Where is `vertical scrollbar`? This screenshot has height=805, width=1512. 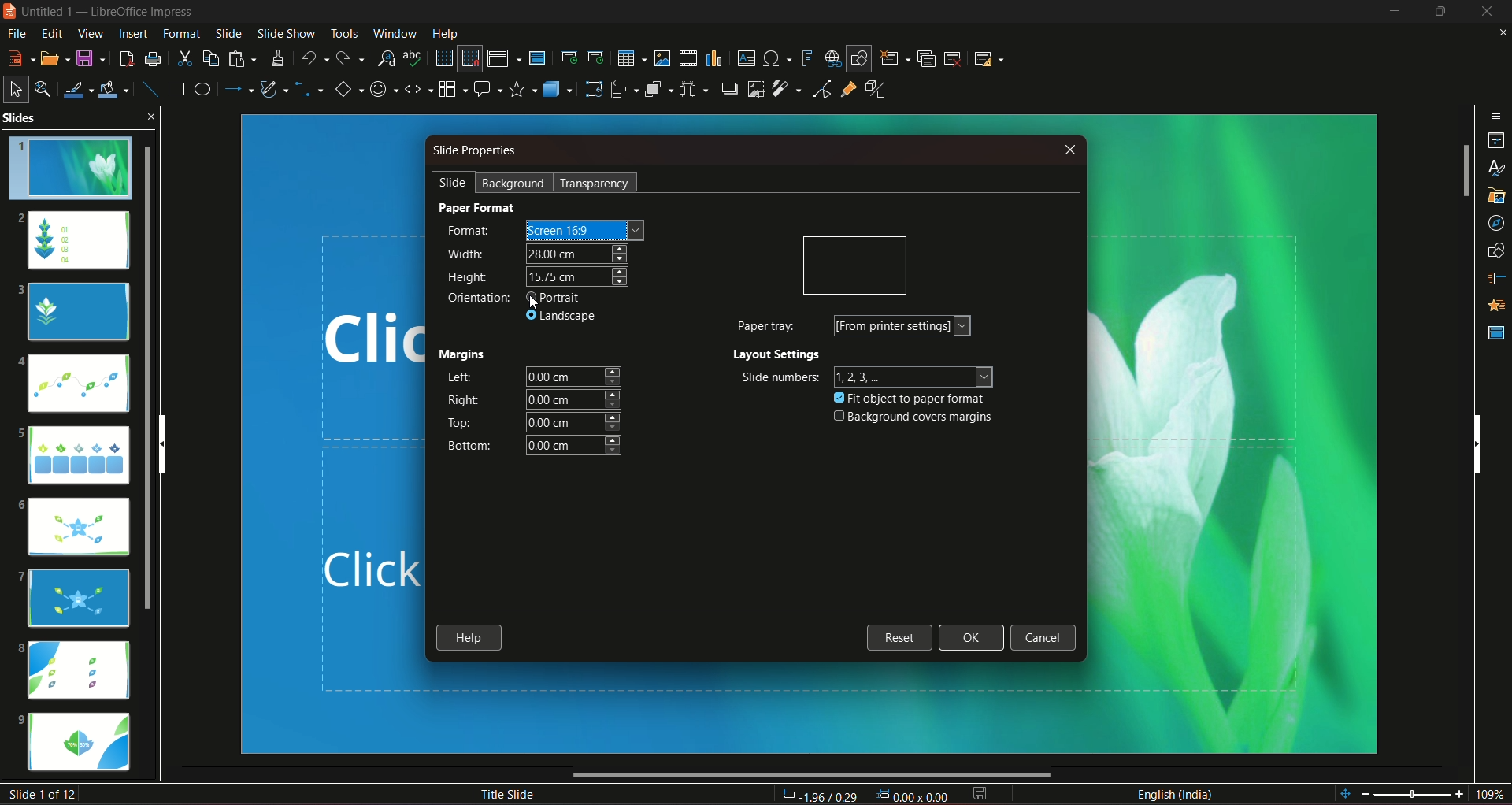 vertical scrollbar is located at coordinates (1477, 442).